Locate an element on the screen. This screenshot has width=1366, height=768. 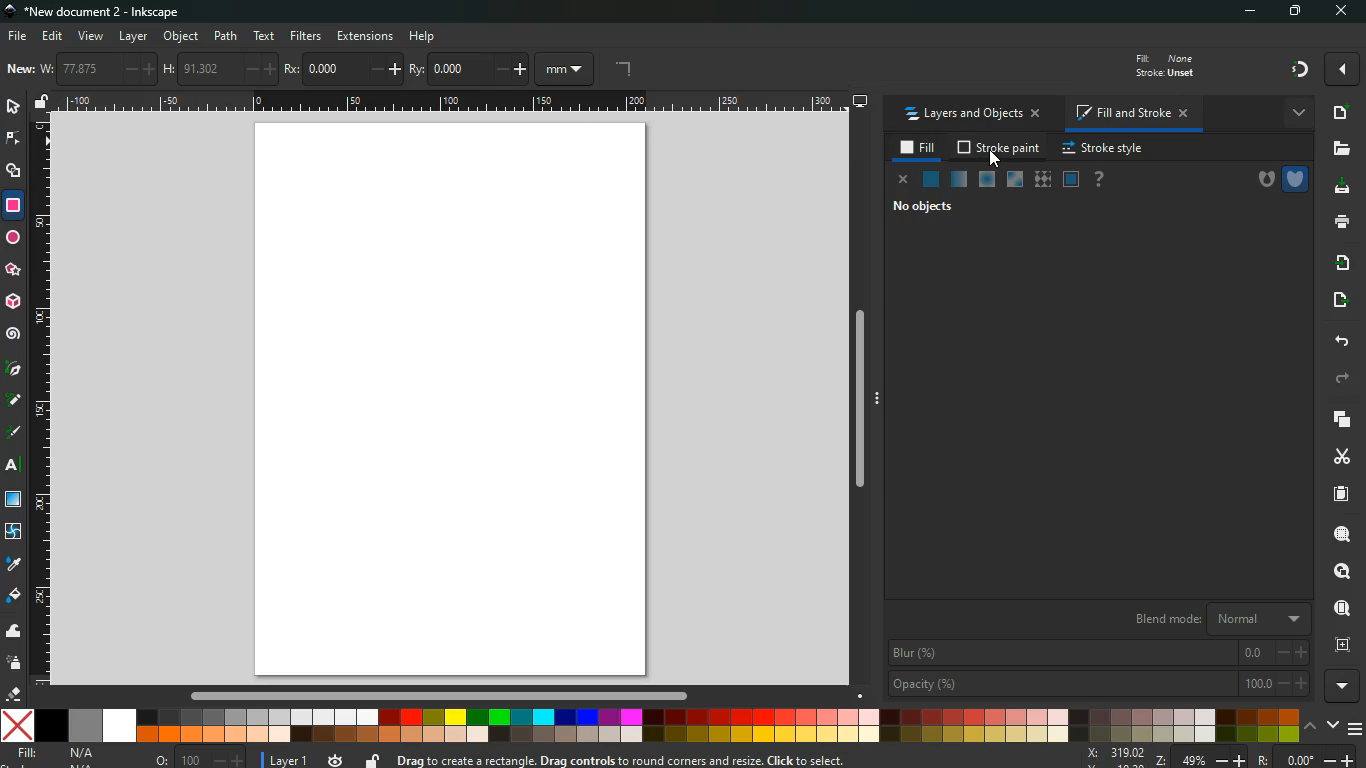
ry is located at coordinates (469, 70).